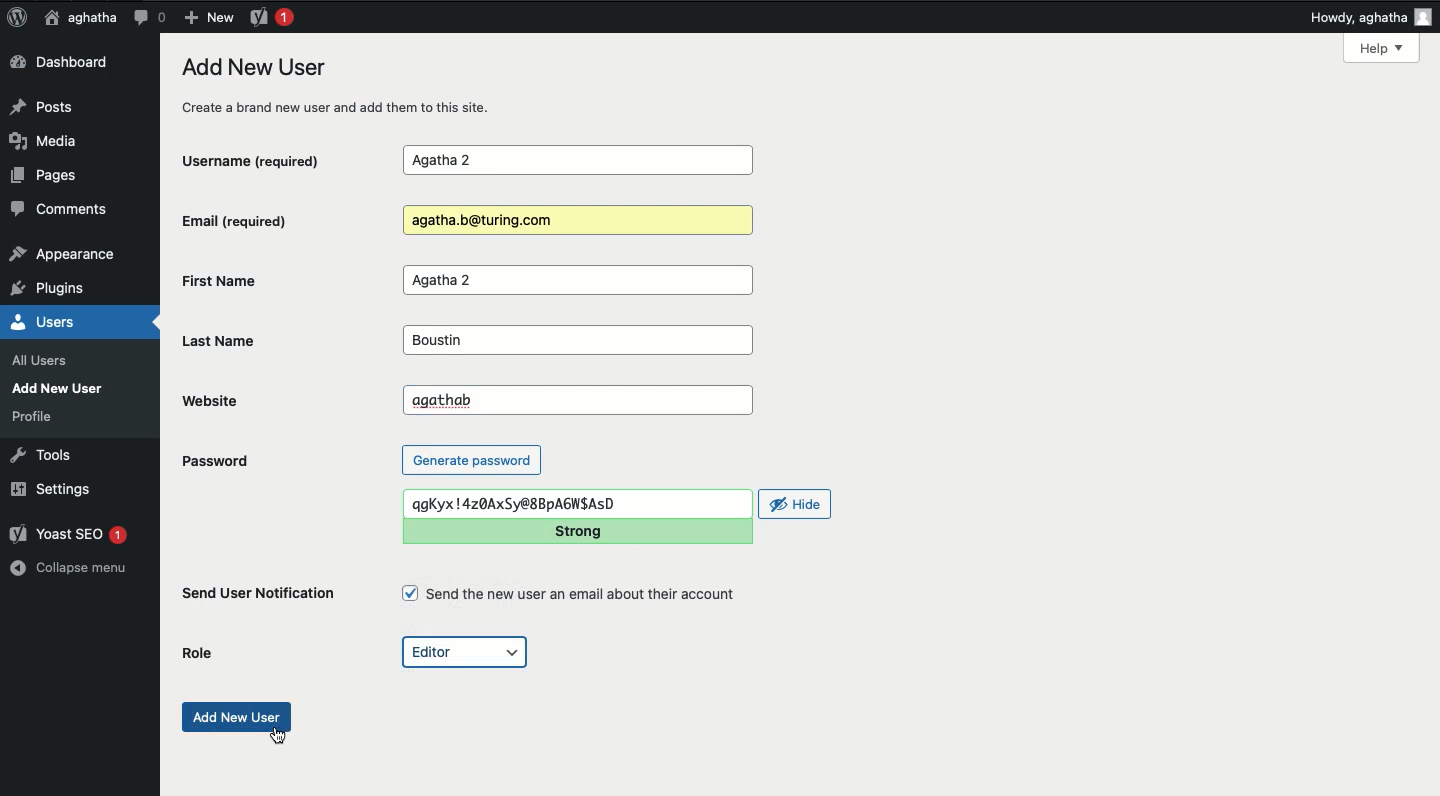 The image size is (1440, 796). I want to click on Send the new user an email about their account, so click(572, 594).